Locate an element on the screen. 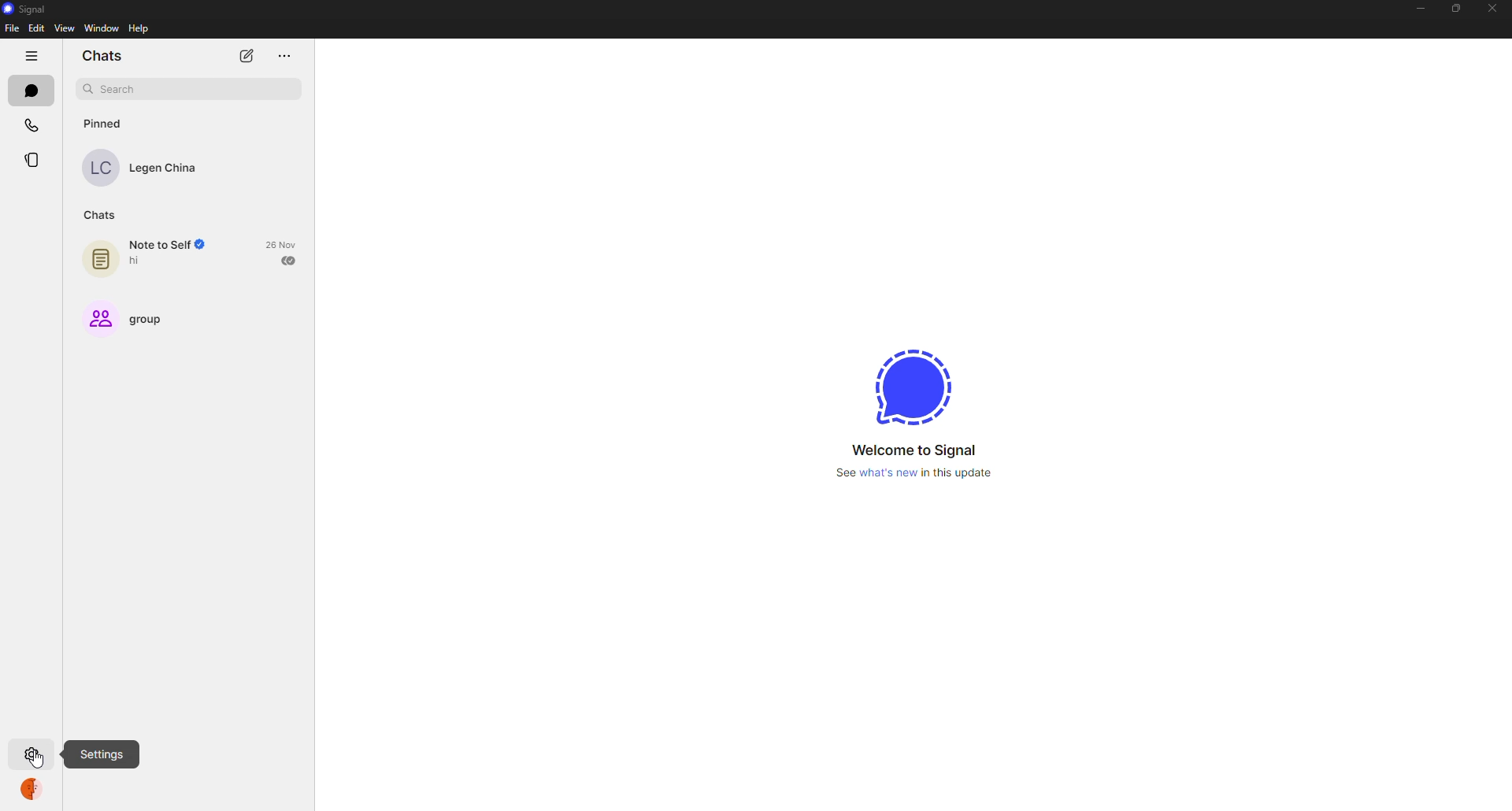  minimize is located at coordinates (1418, 9).